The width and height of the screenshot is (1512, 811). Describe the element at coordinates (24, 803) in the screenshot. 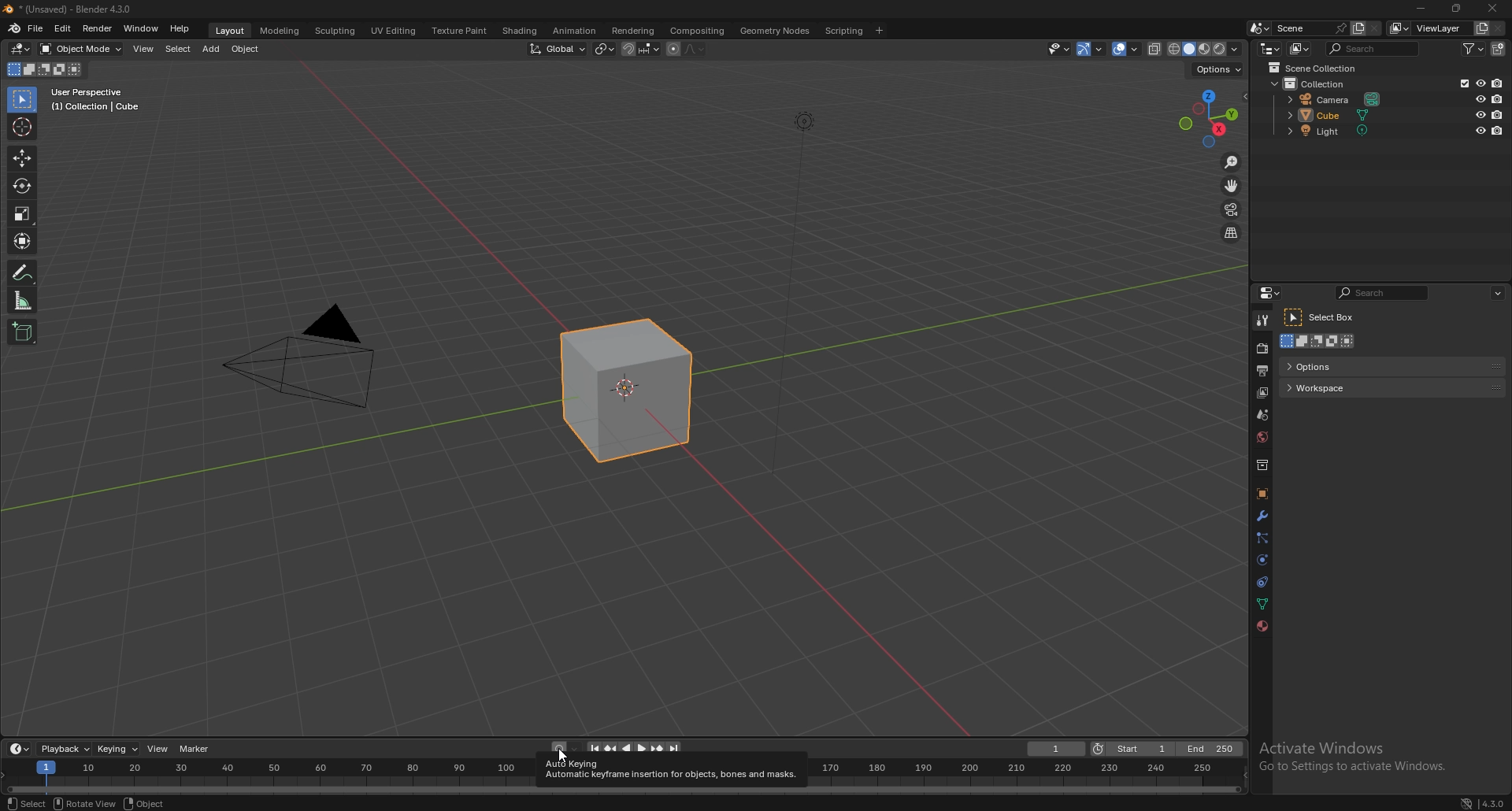

I see `select` at that location.